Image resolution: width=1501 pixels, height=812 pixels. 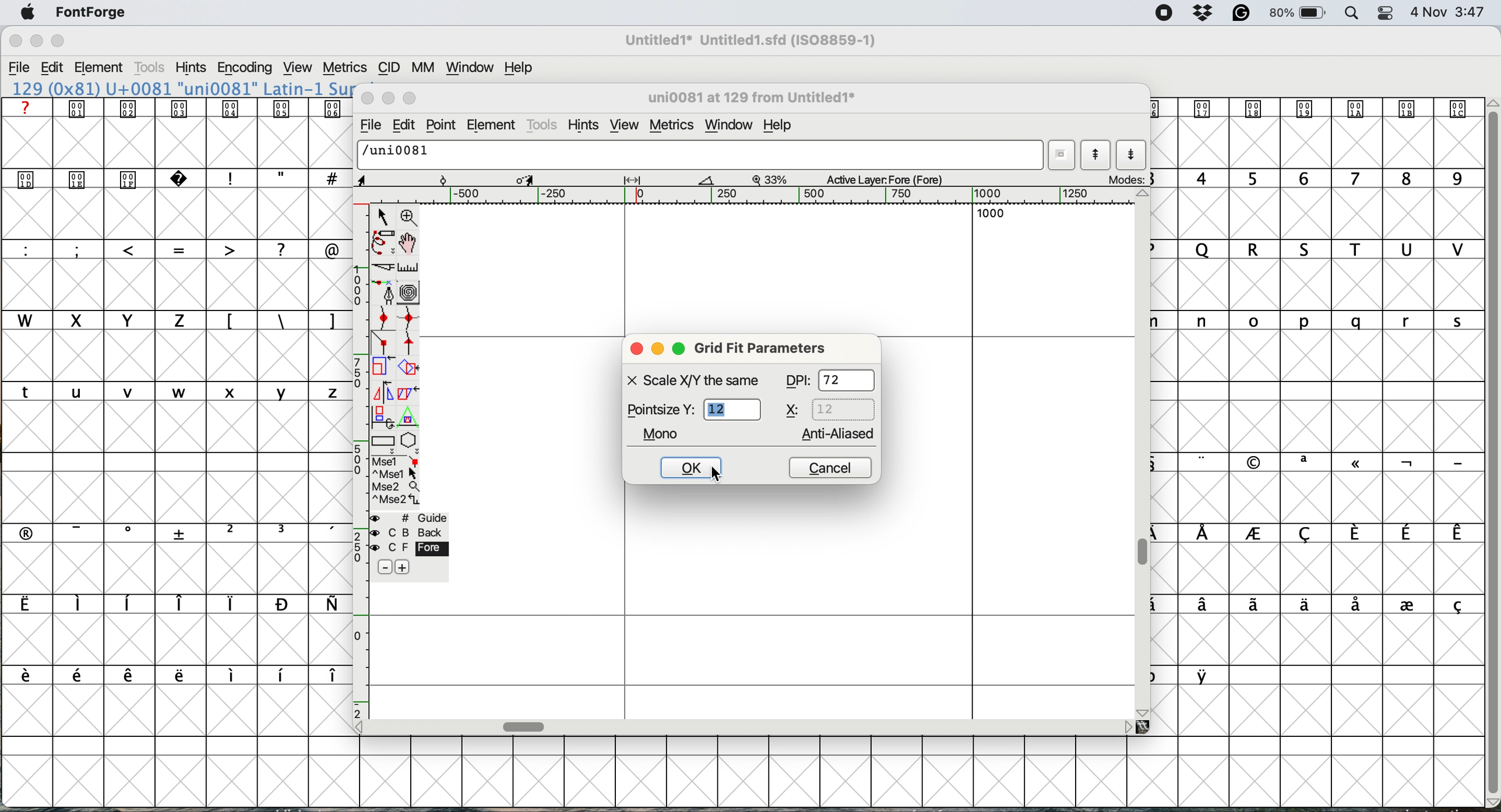 I want to click on vertical scale, so click(x=358, y=461).